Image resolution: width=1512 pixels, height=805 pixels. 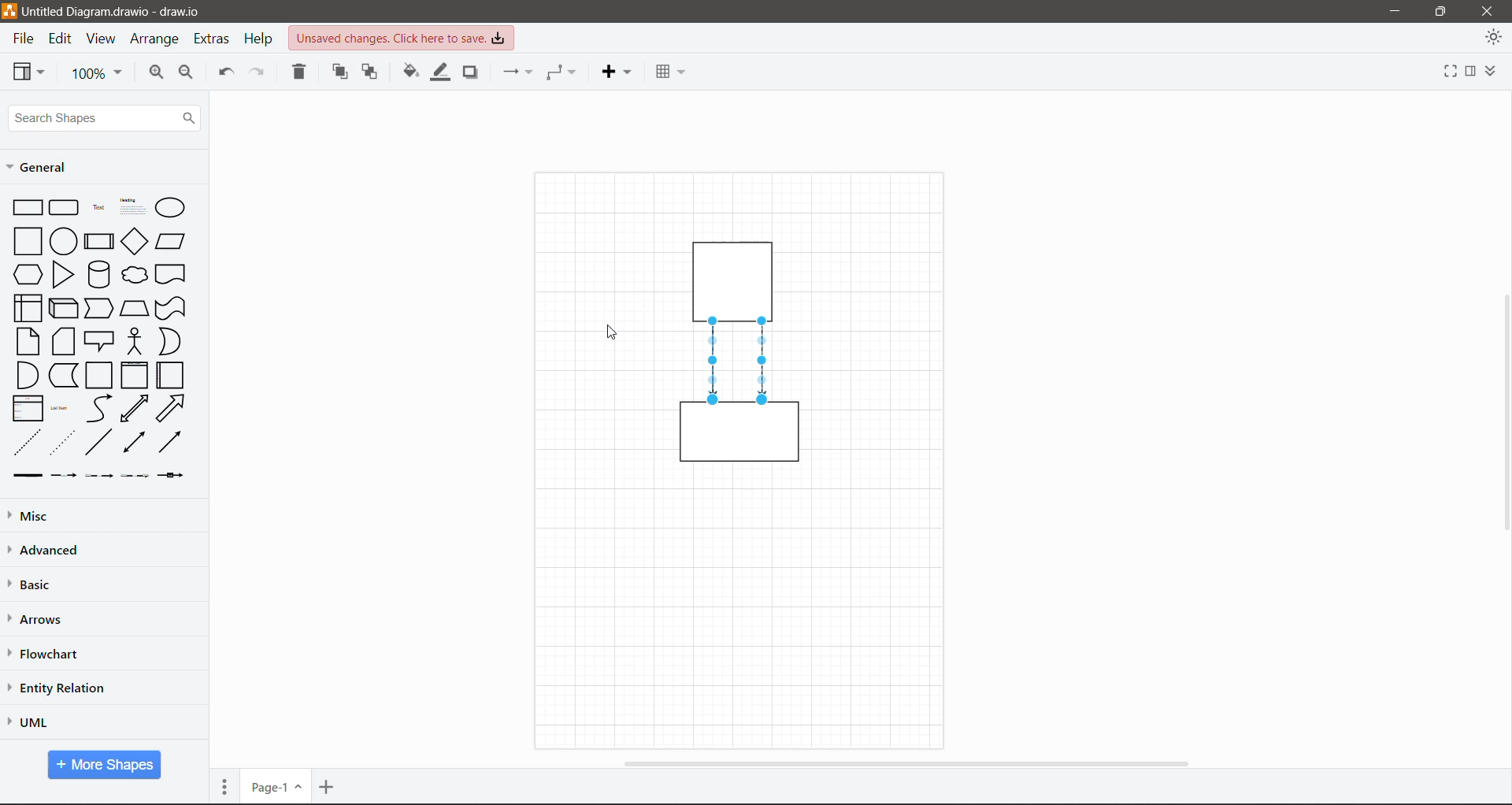 I want to click on List Item, so click(x=61, y=409).